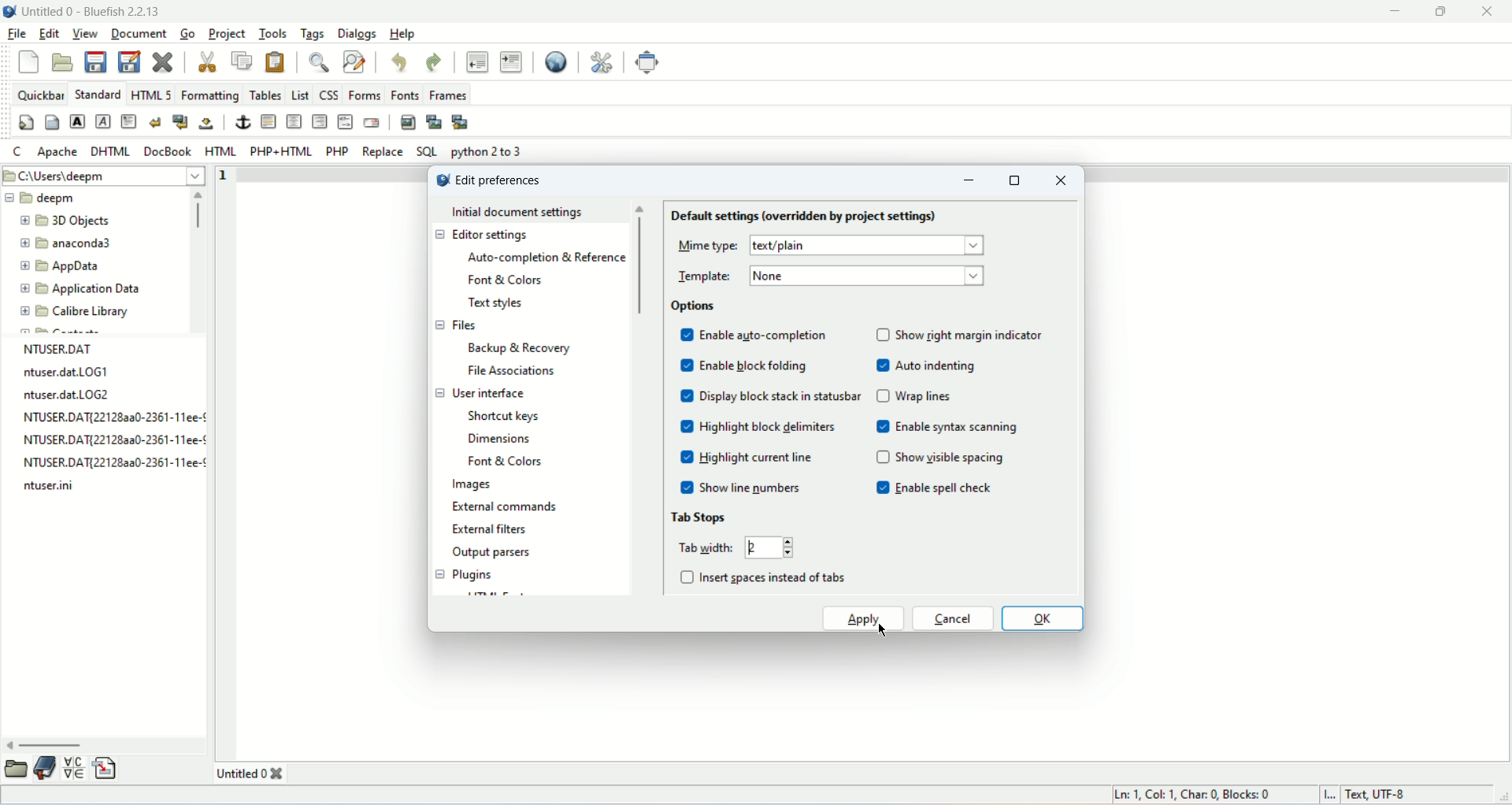 This screenshot has width=1512, height=805. Describe the element at coordinates (695, 306) in the screenshot. I see `options` at that location.